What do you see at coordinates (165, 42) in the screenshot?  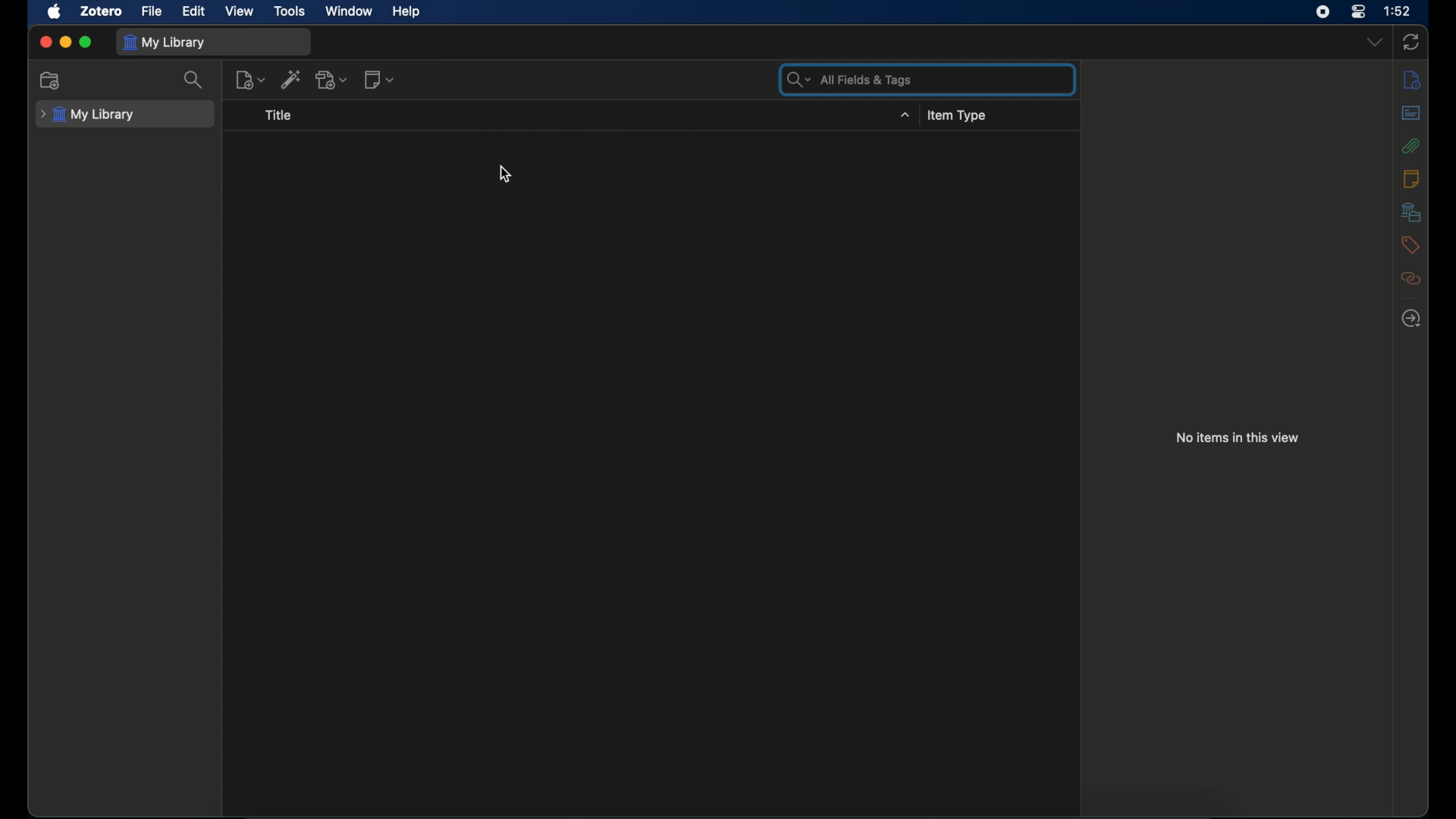 I see `my library` at bounding box center [165, 42].